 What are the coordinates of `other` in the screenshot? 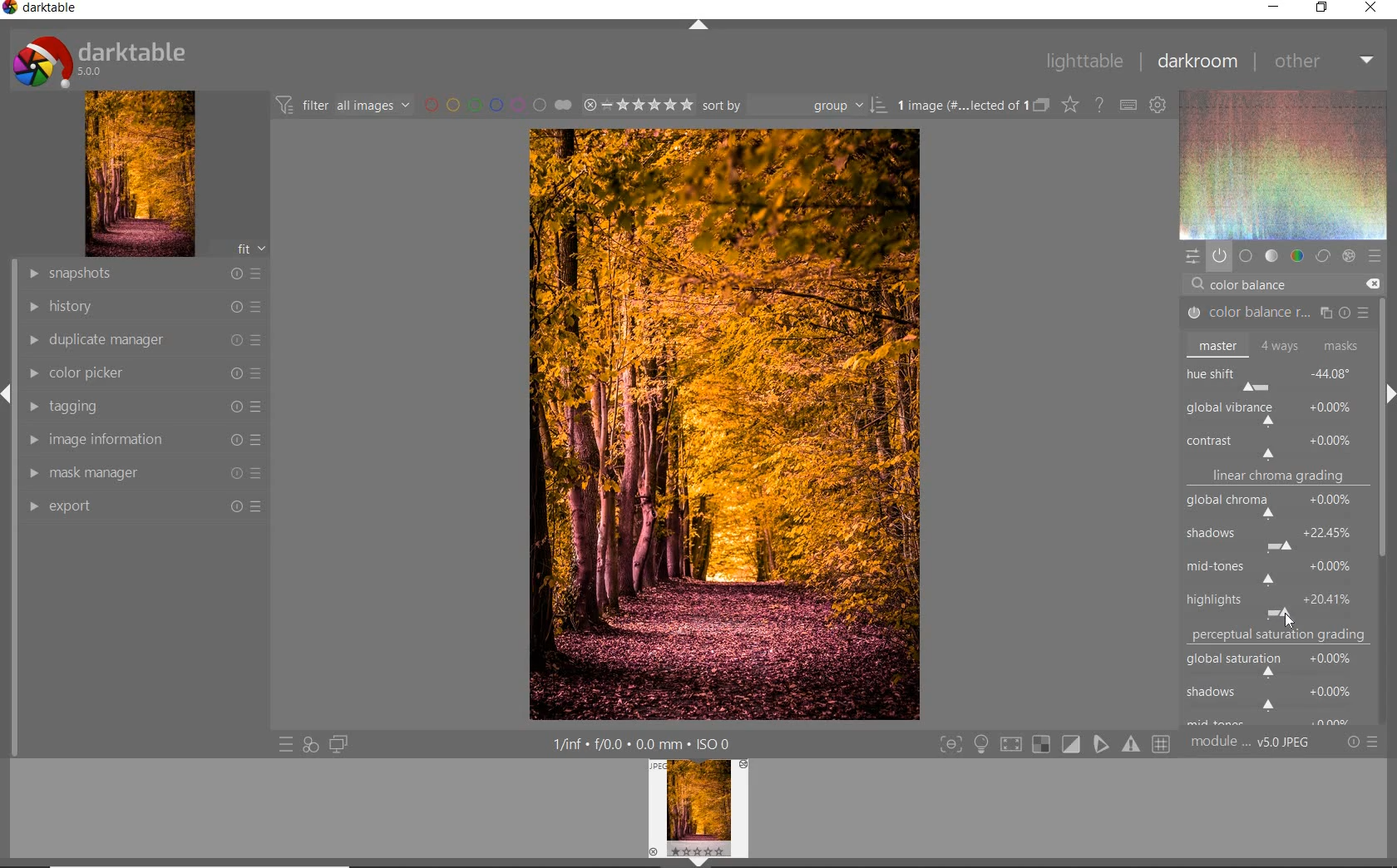 It's located at (1325, 62).